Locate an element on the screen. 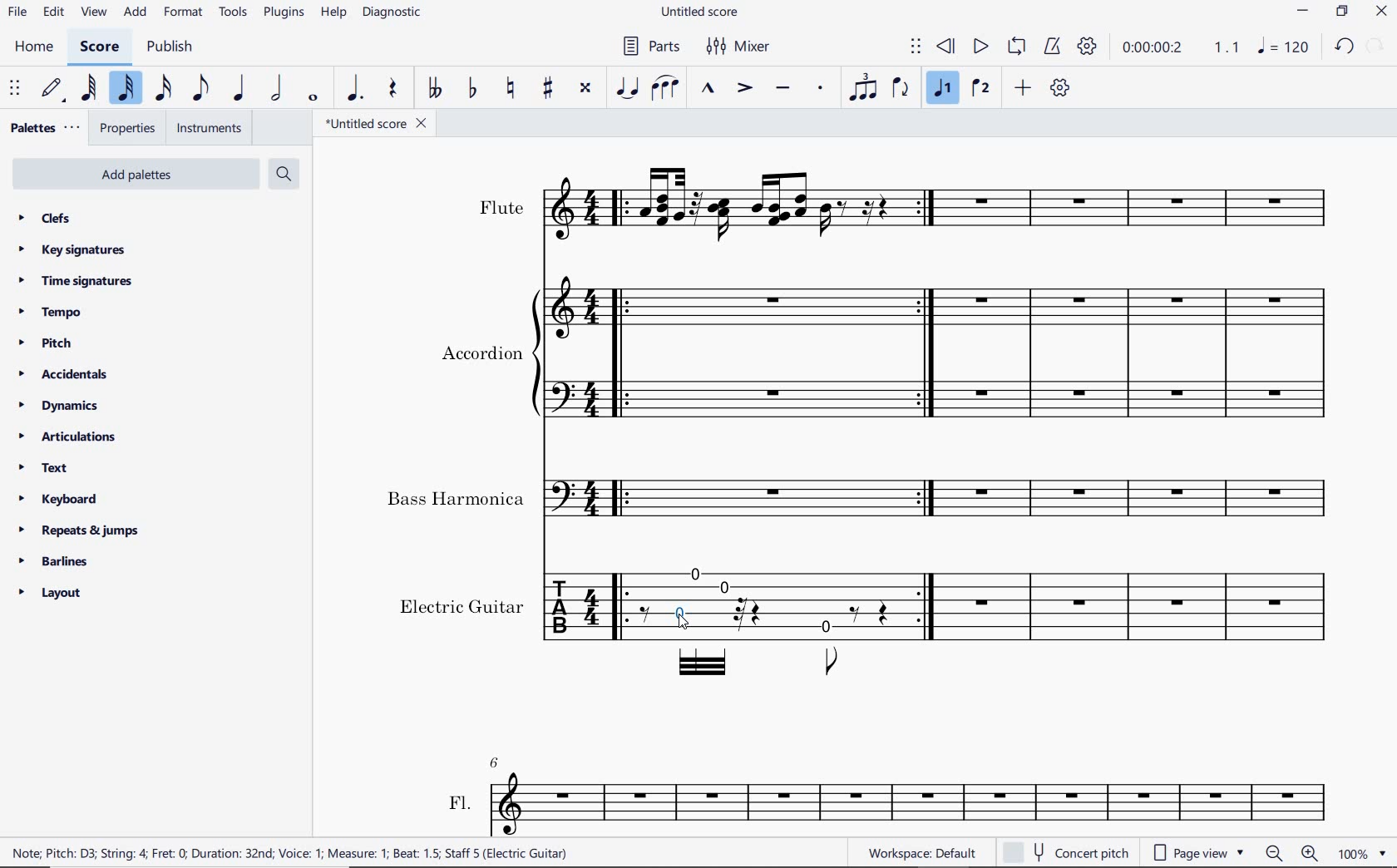 Image resolution: width=1397 pixels, height=868 pixels. toggle double-sharp is located at coordinates (587, 88).